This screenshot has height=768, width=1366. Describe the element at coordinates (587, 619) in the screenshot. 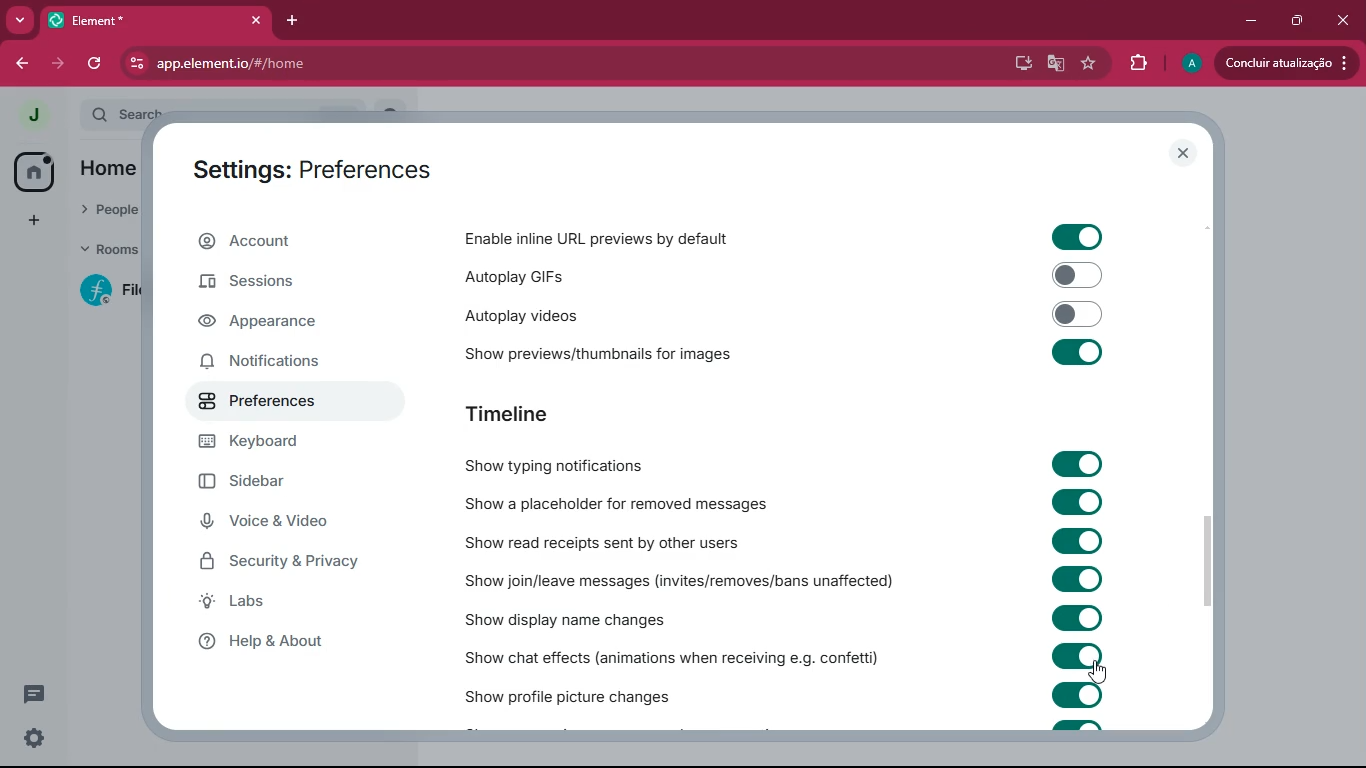

I see `show display name changes` at that location.